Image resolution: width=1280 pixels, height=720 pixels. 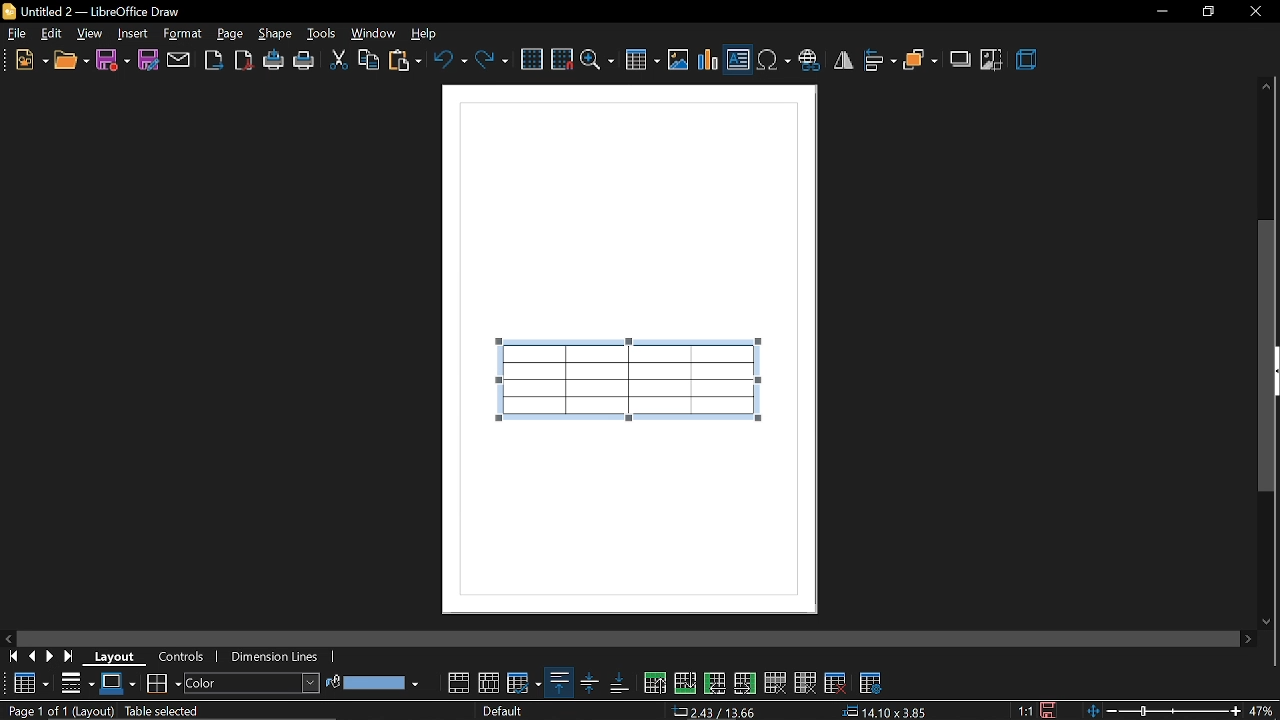 What do you see at coordinates (51, 656) in the screenshot?
I see `next page` at bounding box center [51, 656].